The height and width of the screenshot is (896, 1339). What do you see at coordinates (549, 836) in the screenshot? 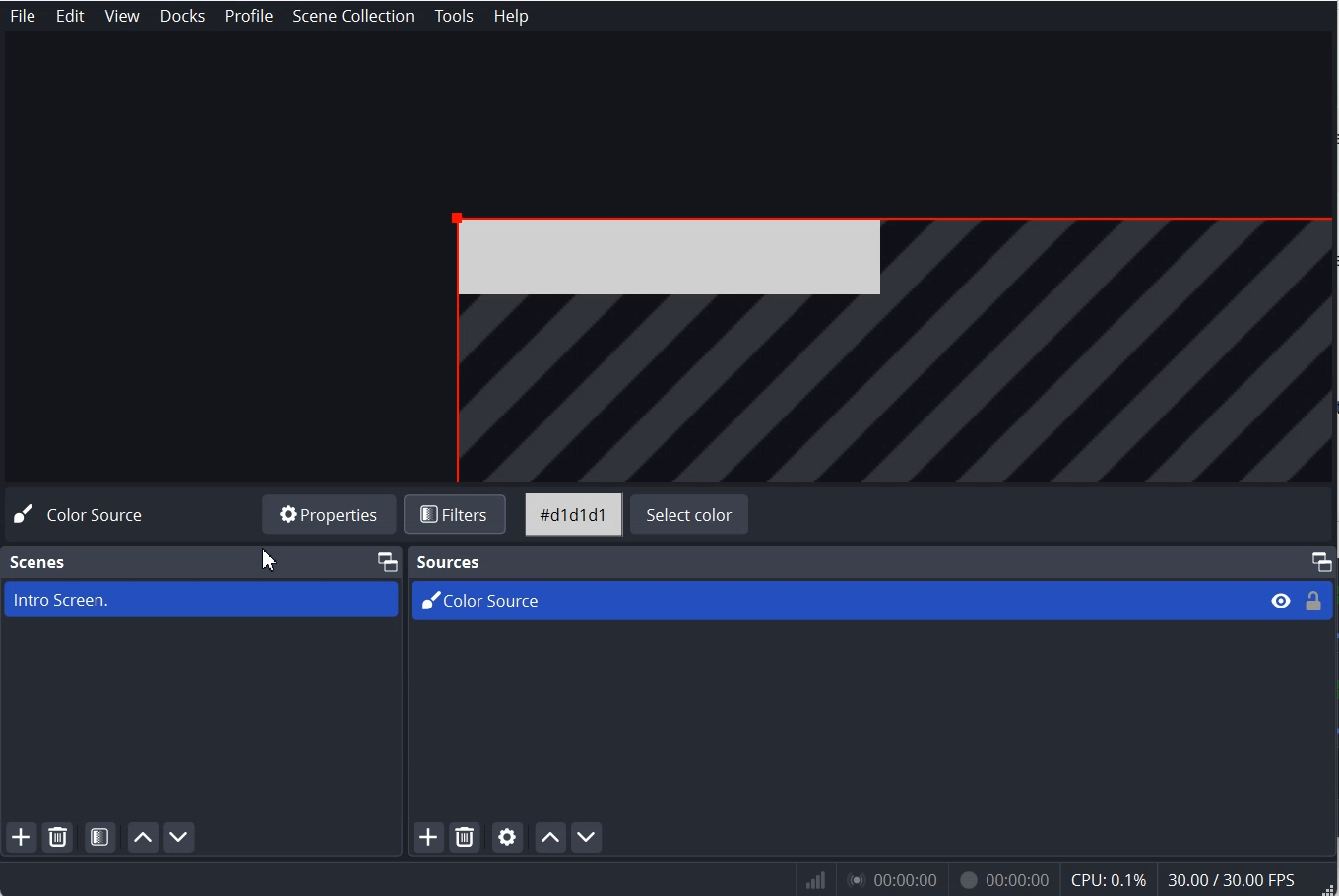
I see `Move Source up` at bounding box center [549, 836].